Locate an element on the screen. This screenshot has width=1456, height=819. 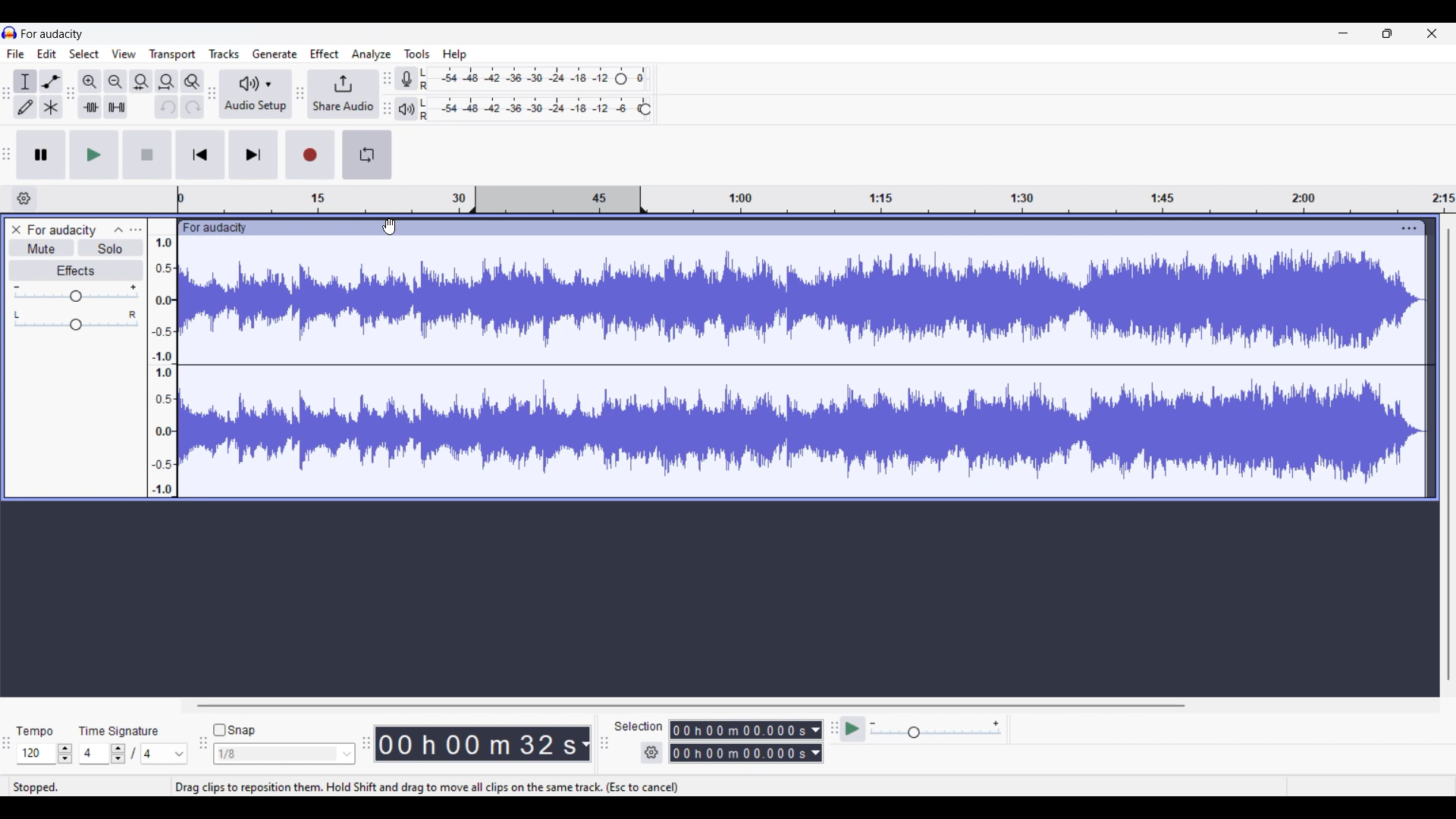
Snap toggle options is located at coordinates (284, 753).